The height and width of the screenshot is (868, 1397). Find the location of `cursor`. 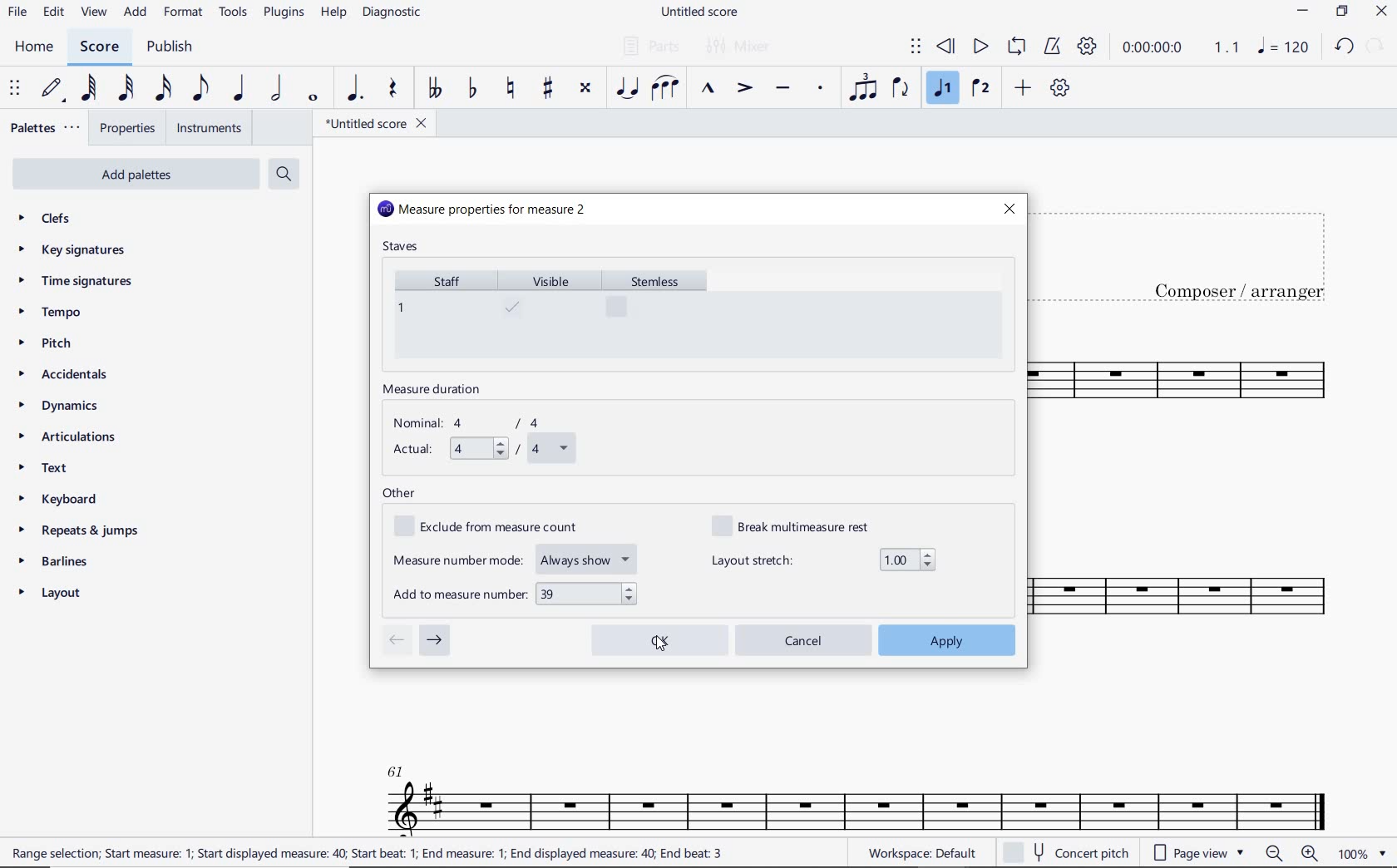

cursor is located at coordinates (659, 646).